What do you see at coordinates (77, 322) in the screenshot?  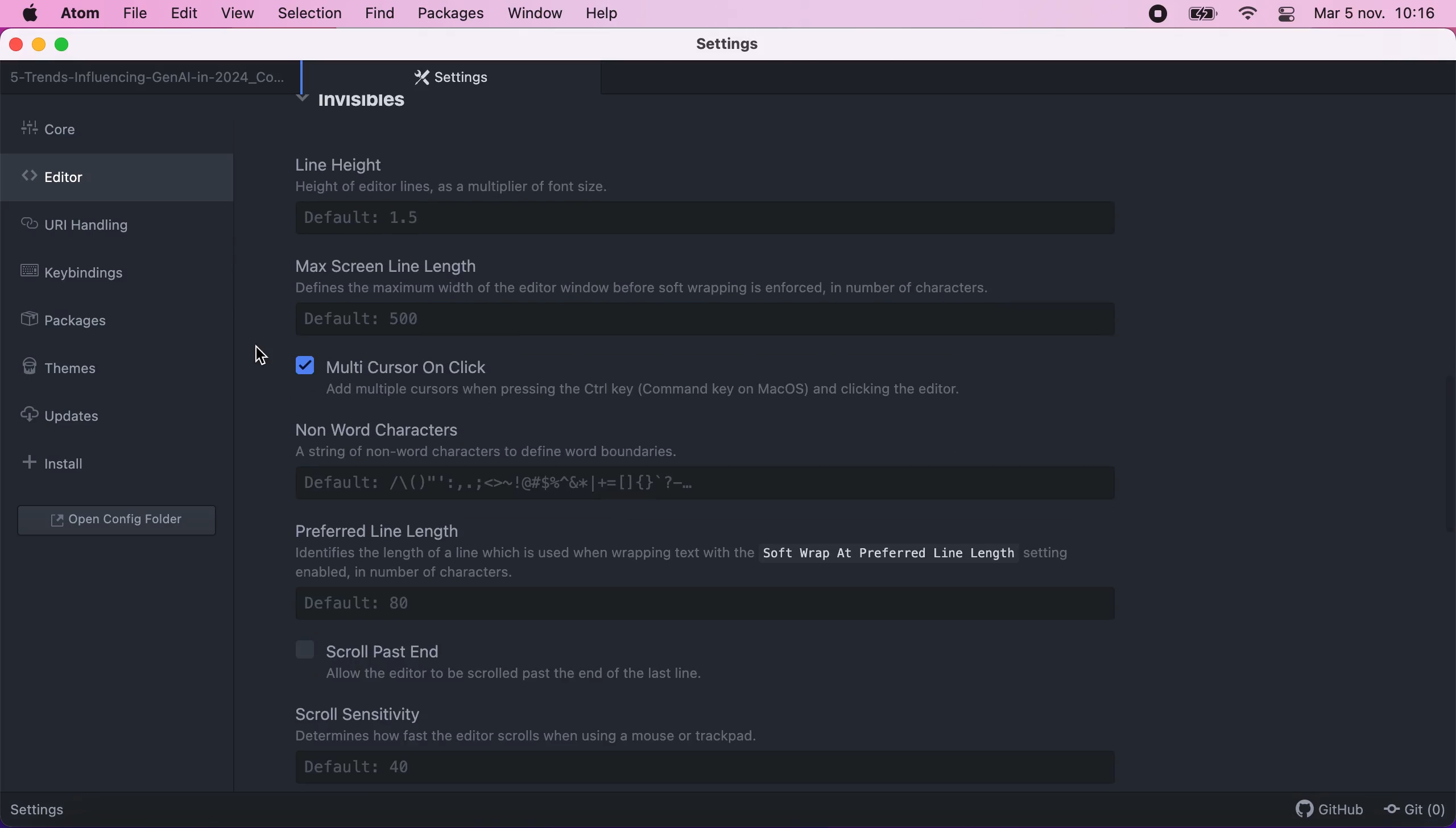 I see `packages` at bounding box center [77, 322].